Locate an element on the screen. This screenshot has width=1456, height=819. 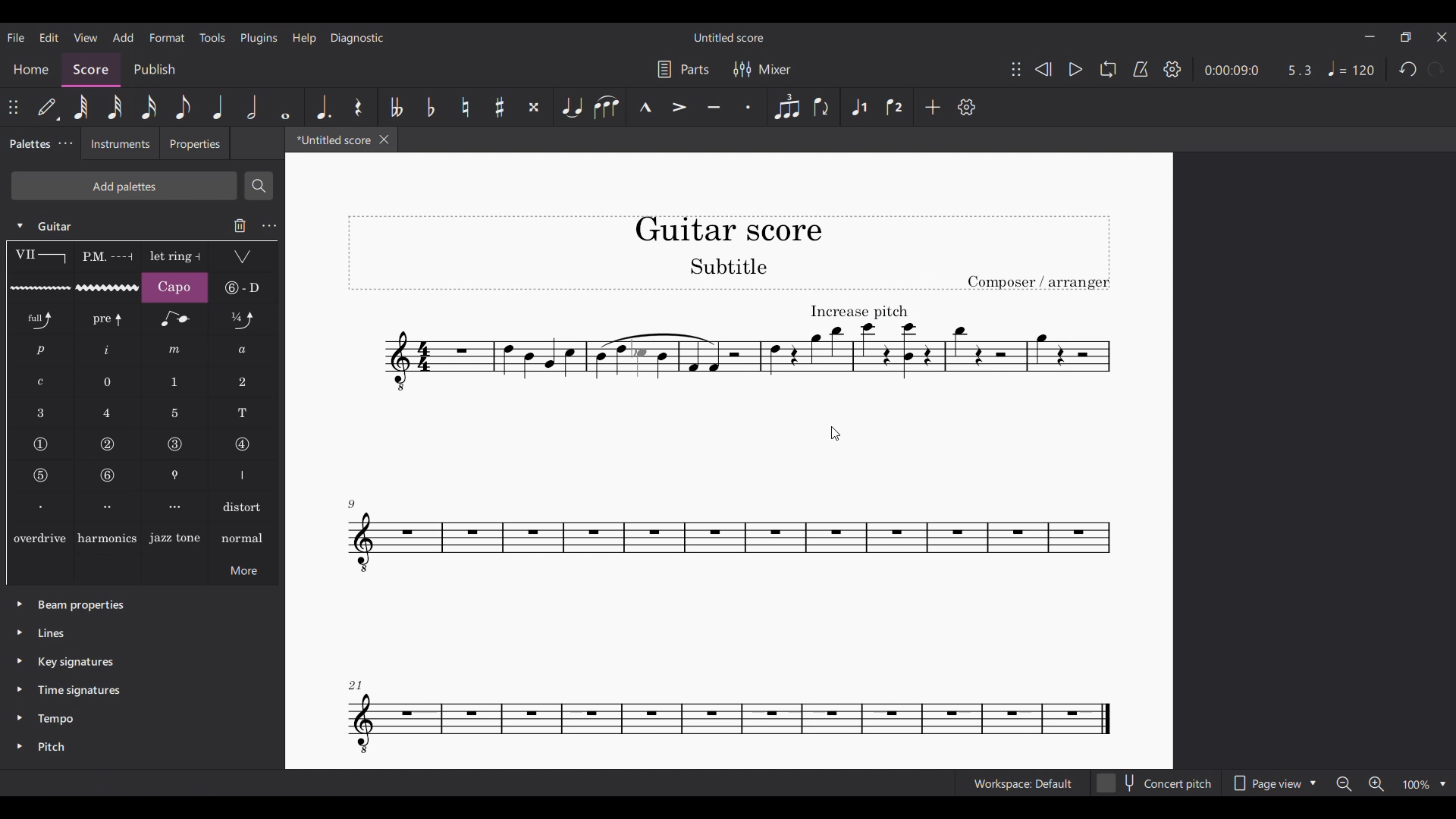
Guitar is located at coordinates (58, 226).